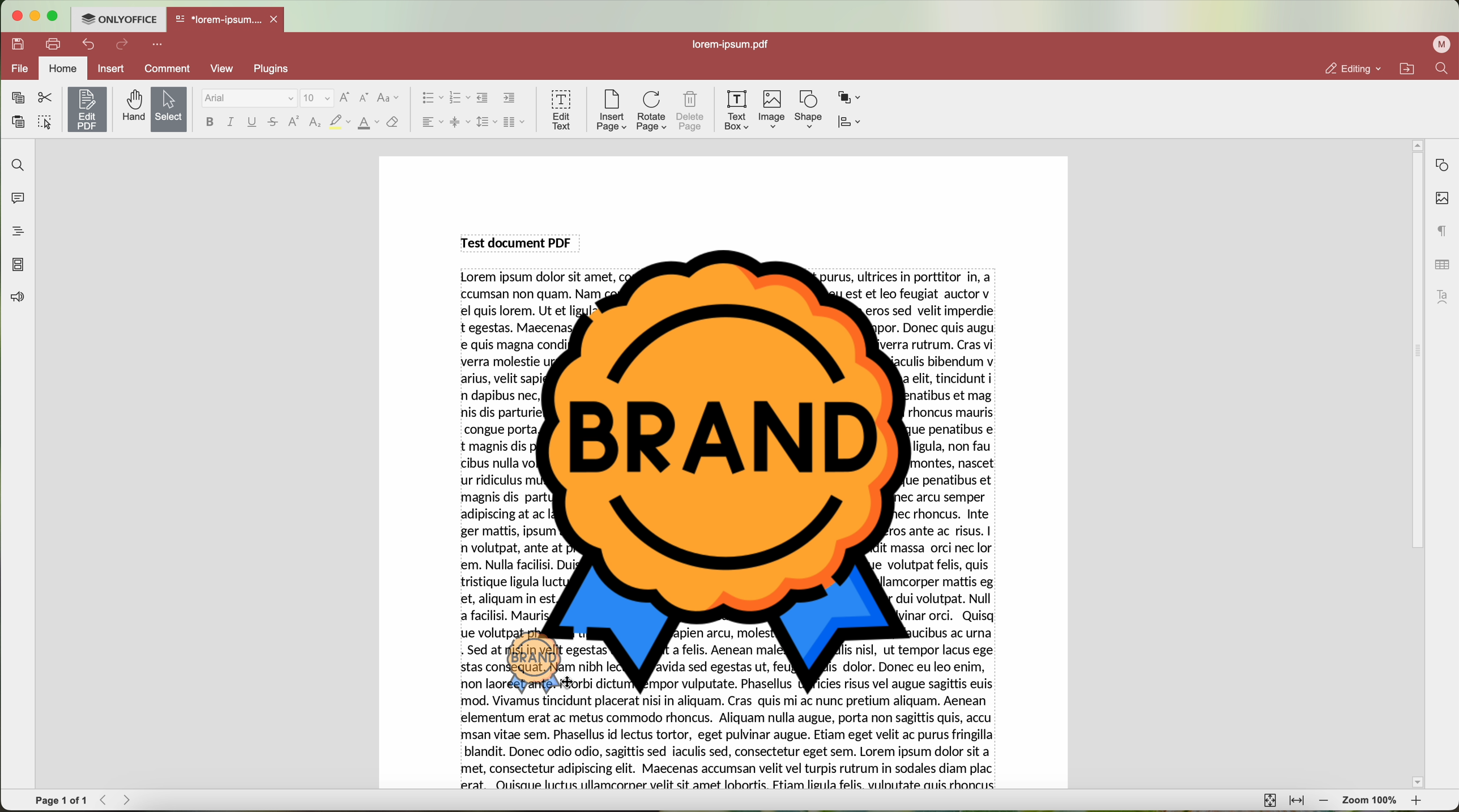 Image resolution: width=1459 pixels, height=812 pixels. What do you see at coordinates (160, 43) in the screenshot?
I see `more options` at bounding box center [160, 43].